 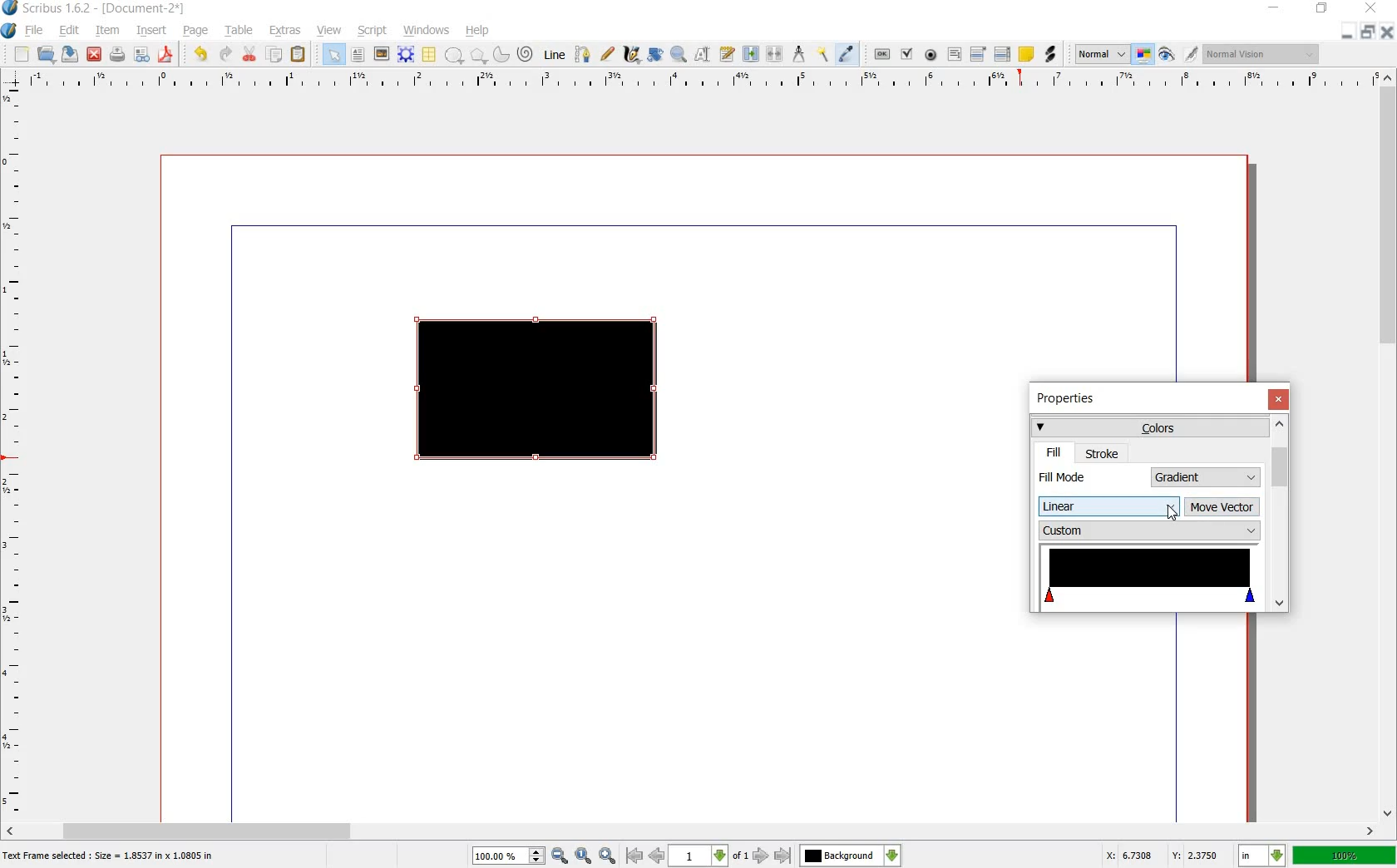 I want to click on freehand line, so click(x=607, y=53).